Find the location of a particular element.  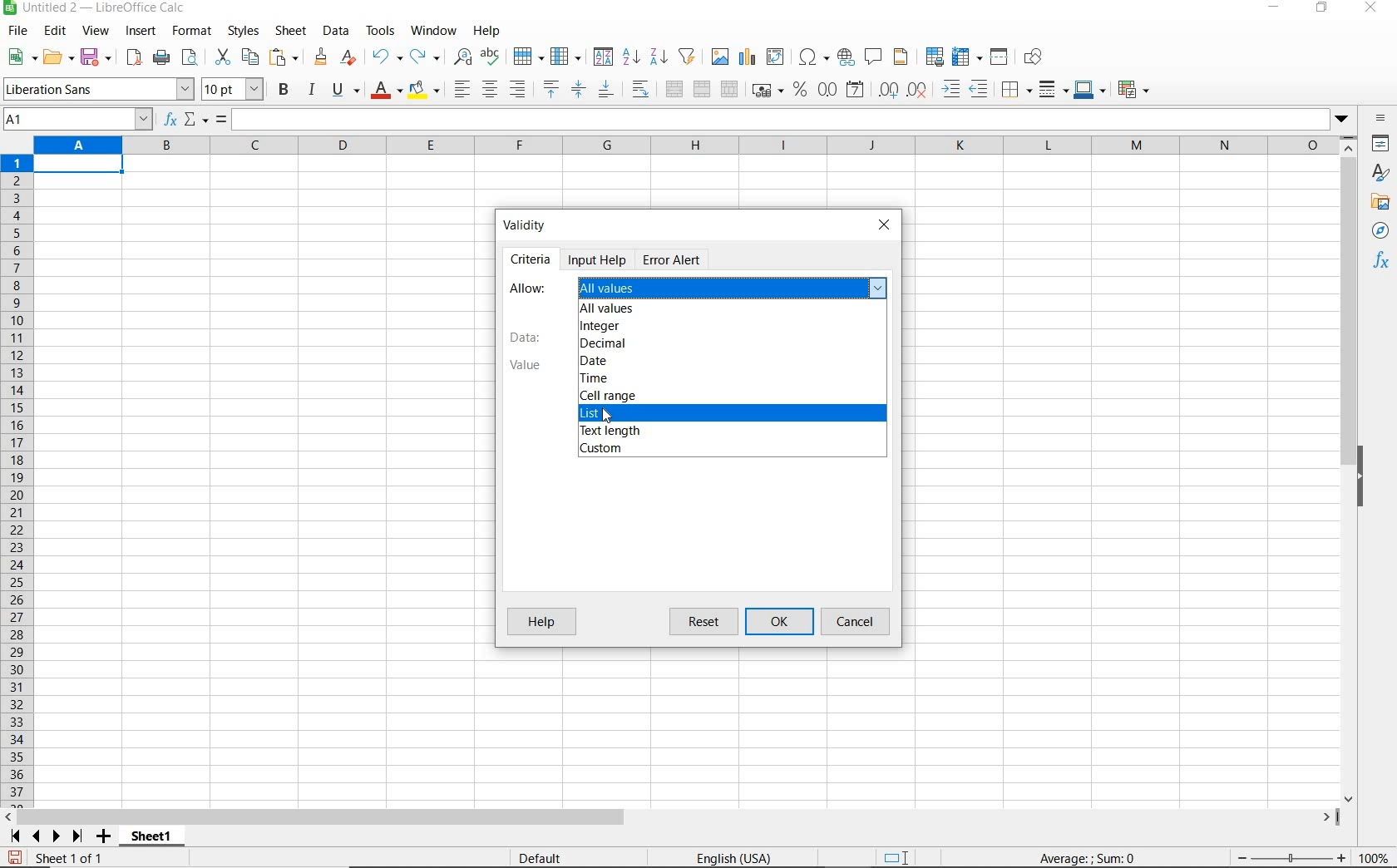

insert comment  is located at coordinates (874, 57).